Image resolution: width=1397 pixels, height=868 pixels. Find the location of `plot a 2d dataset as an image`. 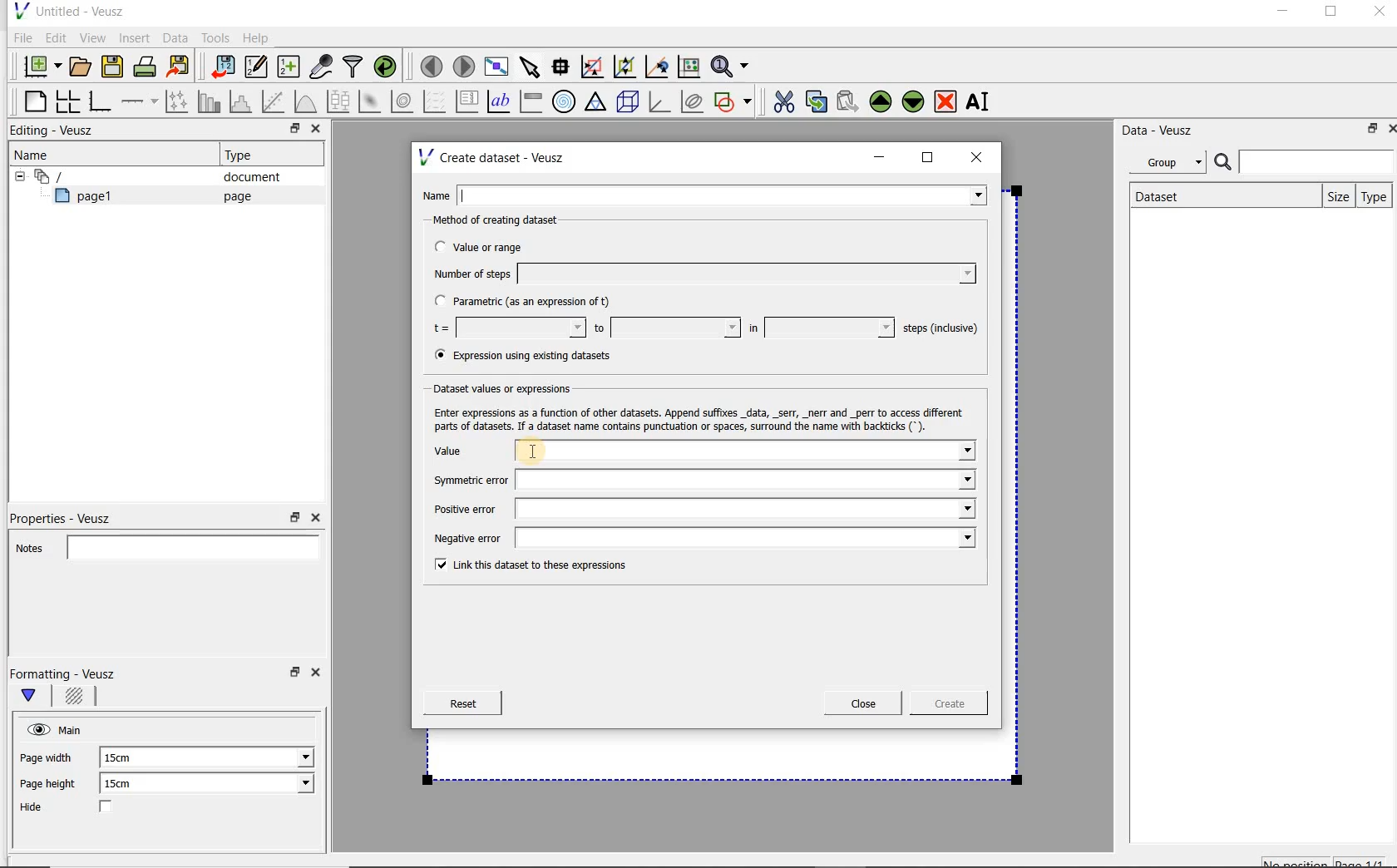

plot a 2d dataset as an image is located at coordinates (372, 102).